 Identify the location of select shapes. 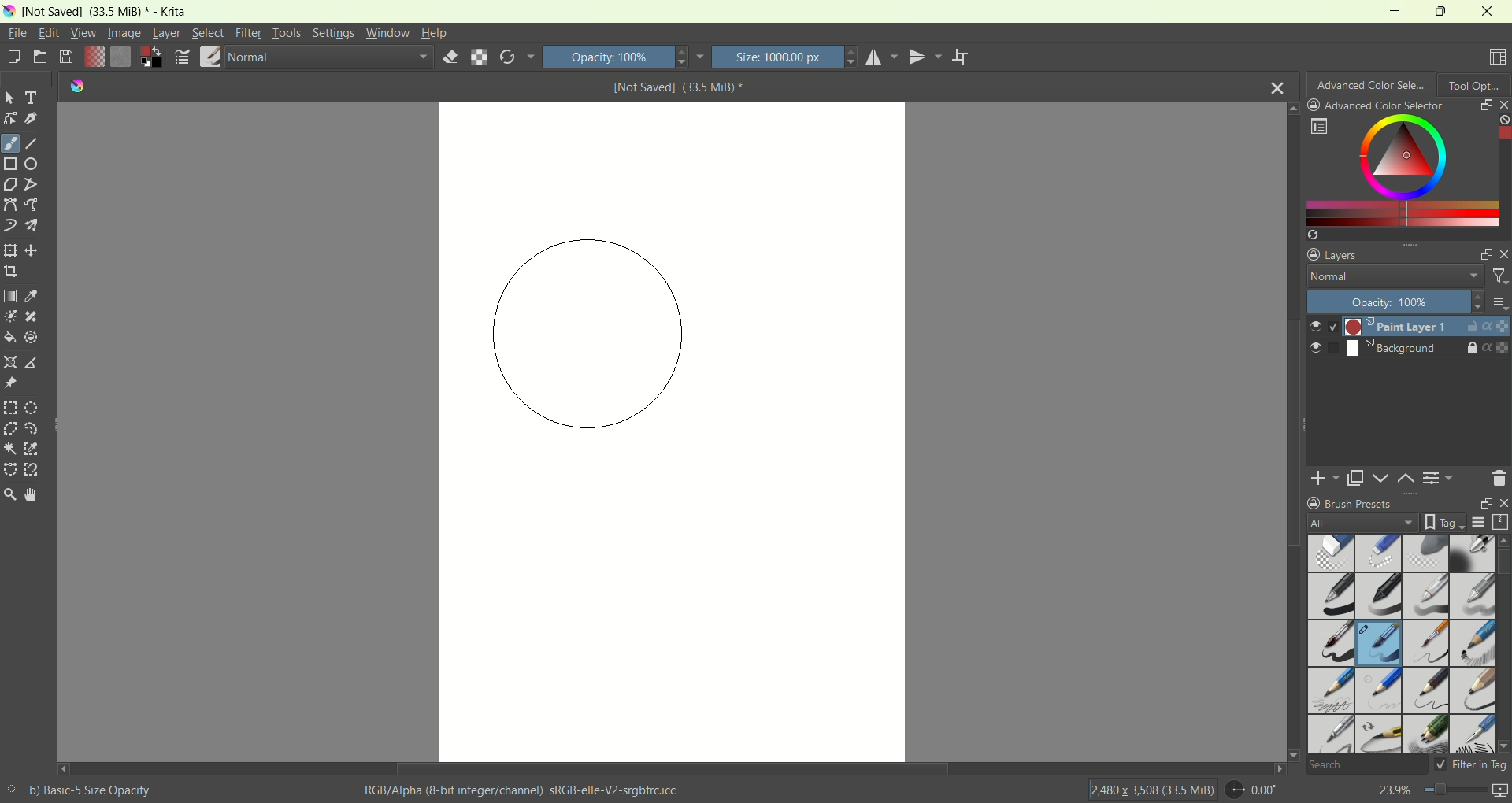
(10, 98).